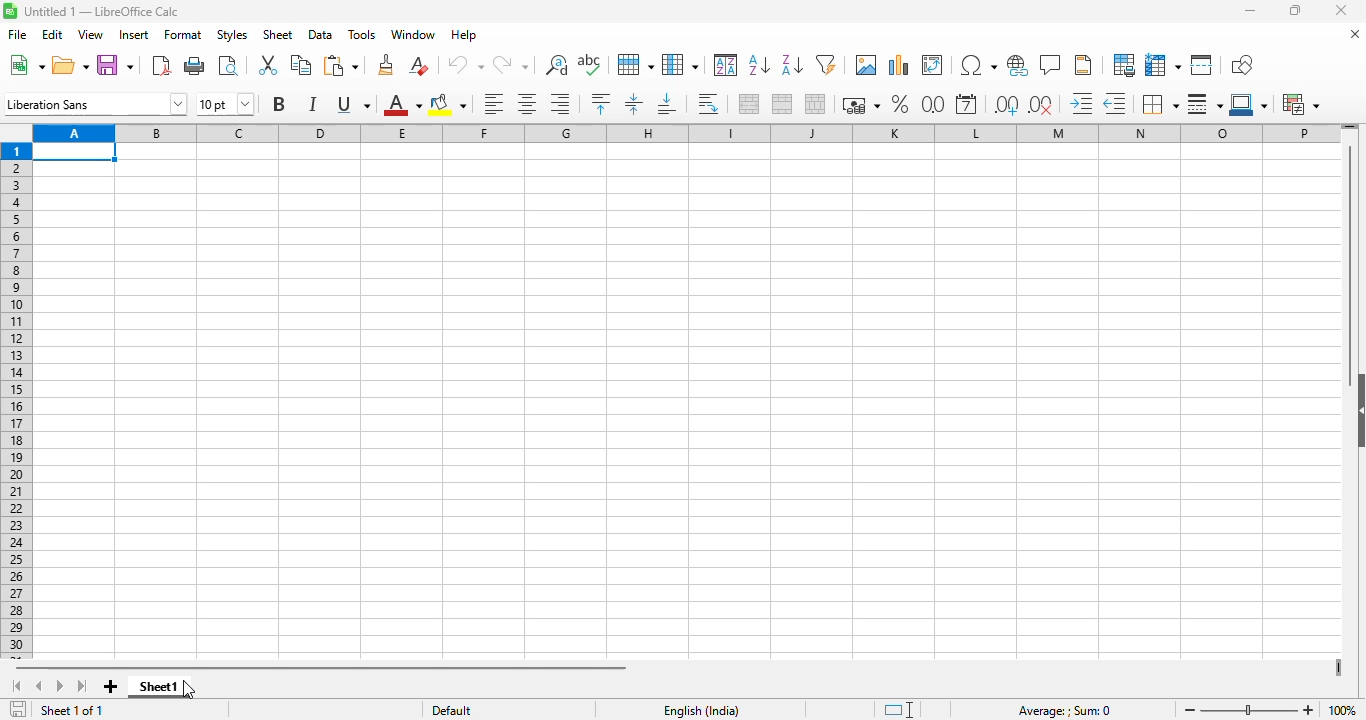  What do you see at coordinates (1205, 103) in the screenshot?
I see `border style` at bounding box center [1205, 103].